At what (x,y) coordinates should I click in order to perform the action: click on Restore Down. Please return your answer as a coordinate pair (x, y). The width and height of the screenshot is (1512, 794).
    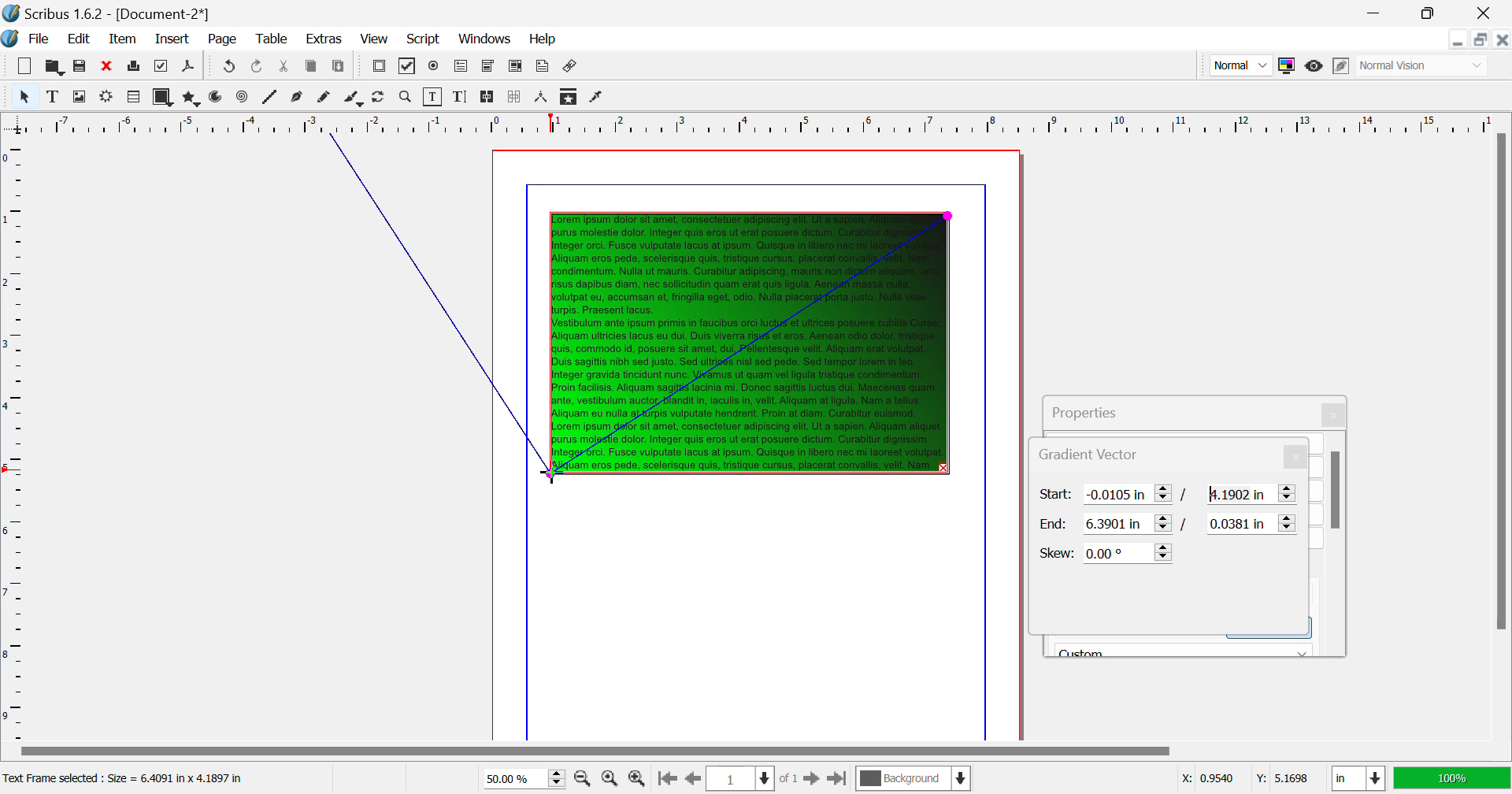
    Looking at the image, I should click on (1378, 13).